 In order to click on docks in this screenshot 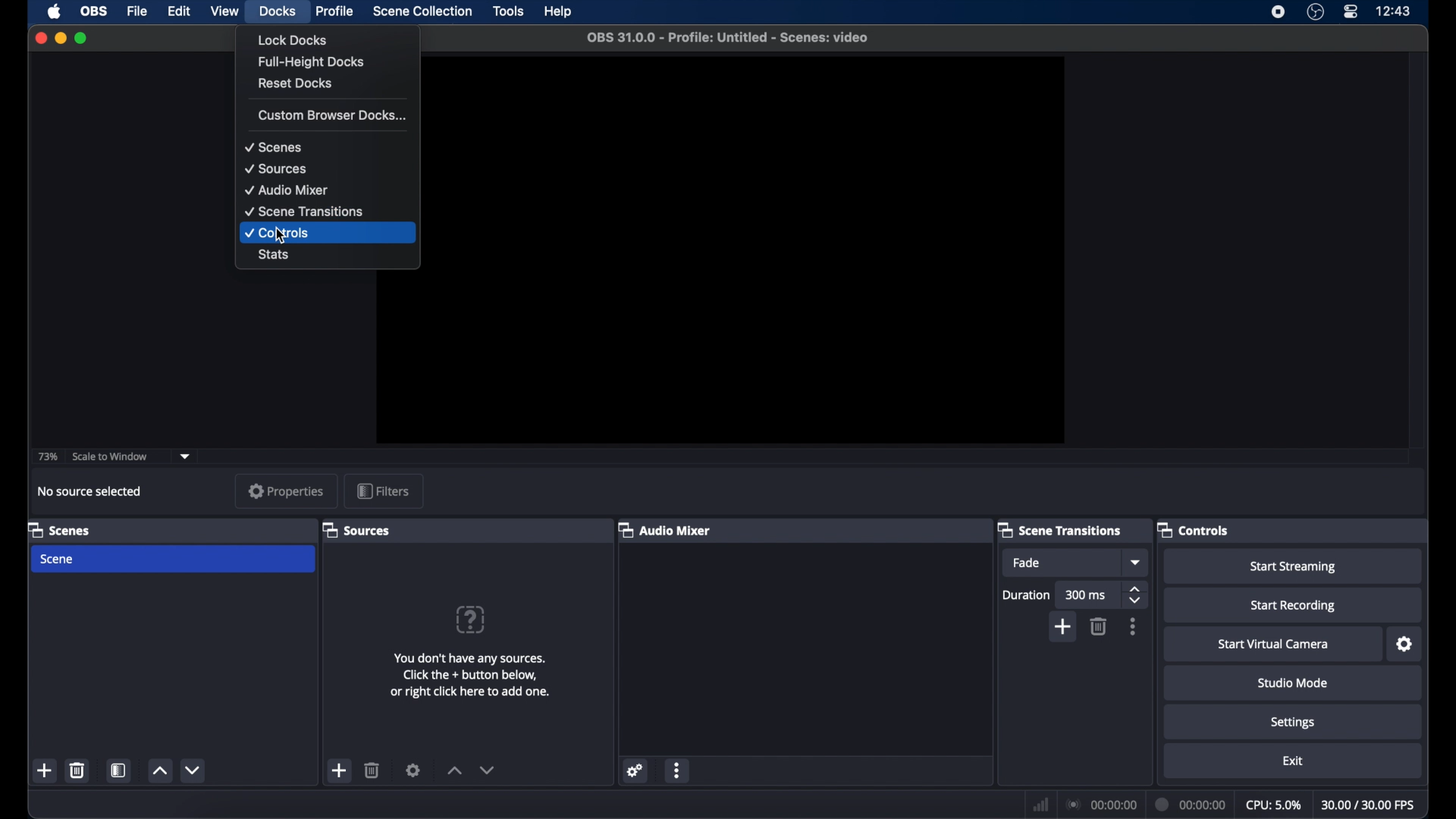, I will do `click(278, 12)`.